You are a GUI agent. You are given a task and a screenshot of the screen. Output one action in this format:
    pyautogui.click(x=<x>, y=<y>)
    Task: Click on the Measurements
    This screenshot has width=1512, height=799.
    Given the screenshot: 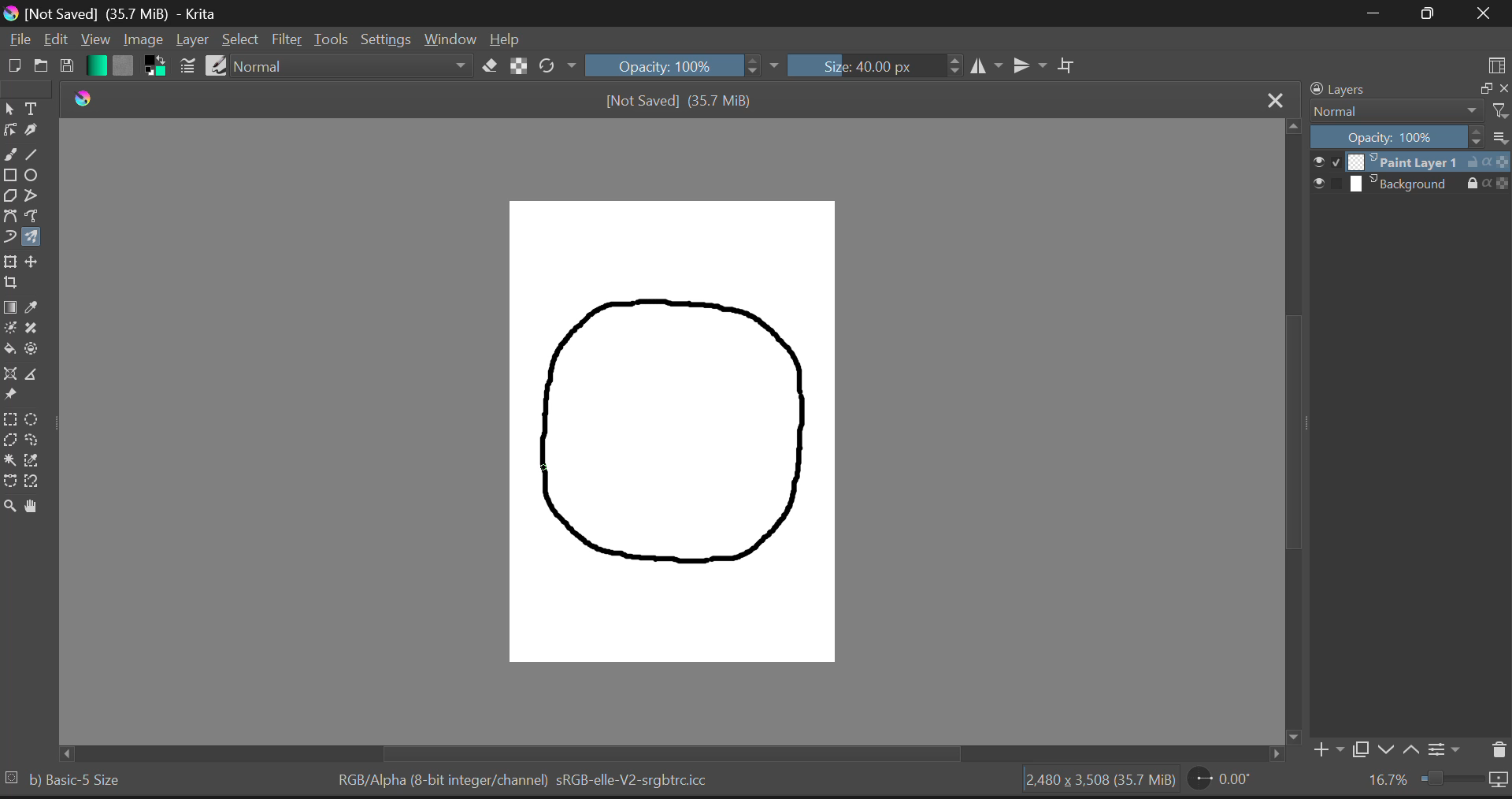 What is the action you would take?
    pyautogui.click(x=38, y=377)
    